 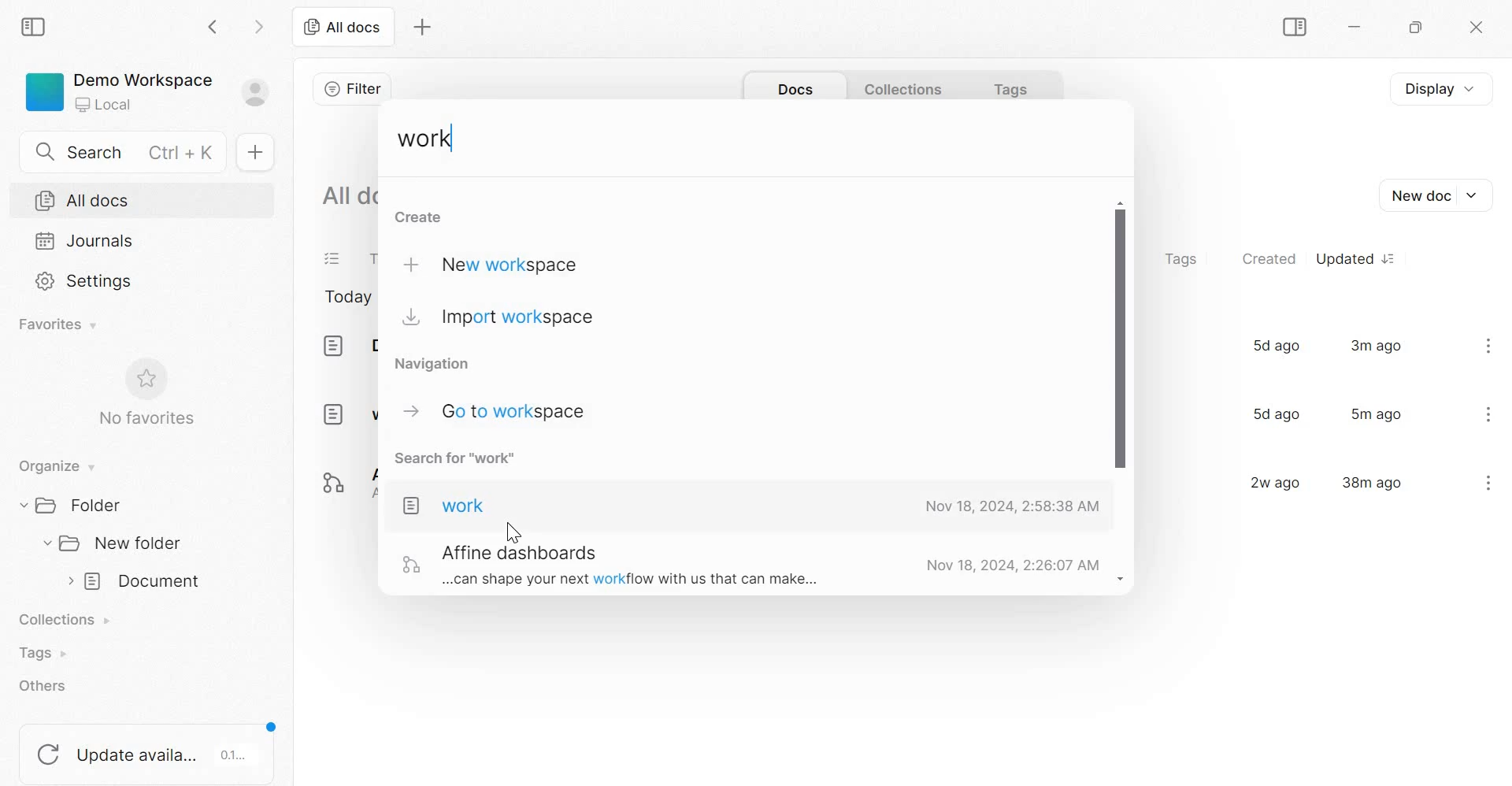 What do you see at coordinates (333, 260) in the screenshot?
I see `task list` at bounding box center [333, 260].